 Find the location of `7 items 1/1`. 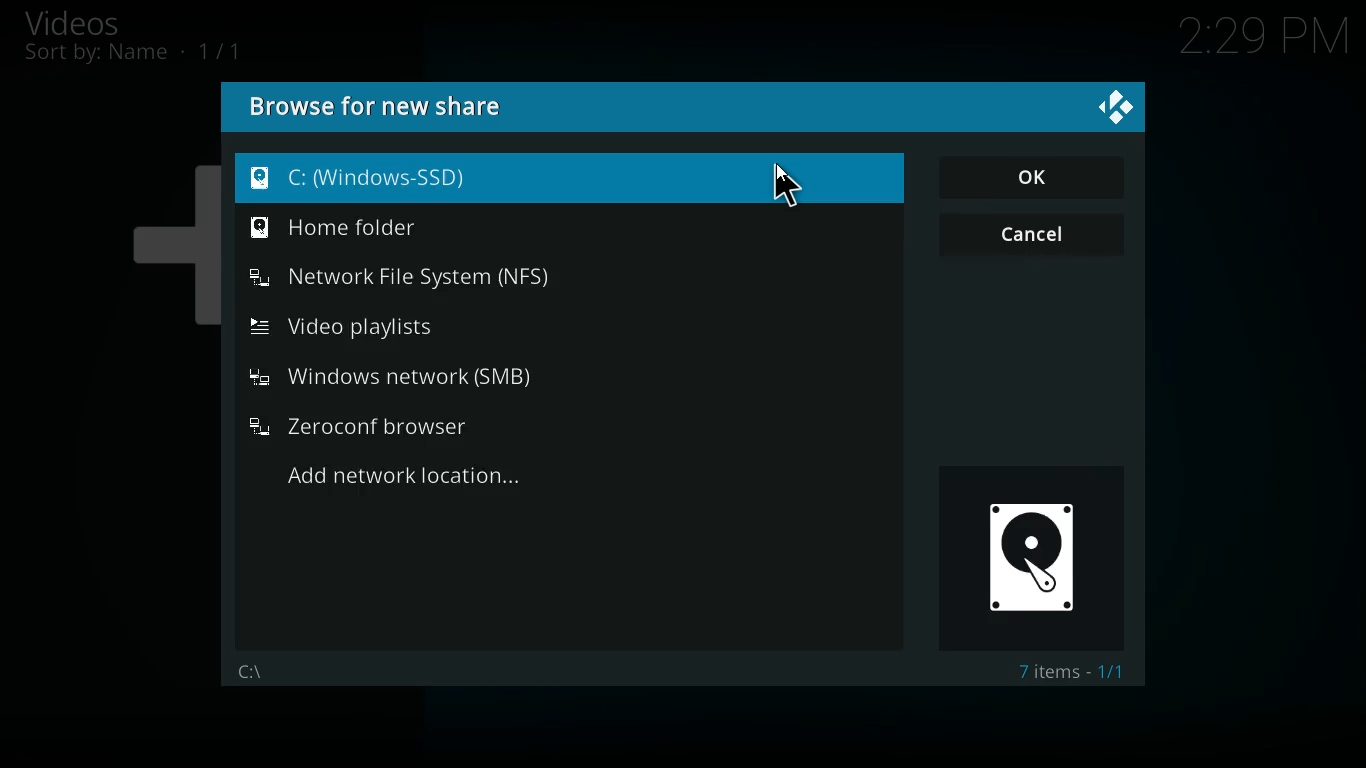

7 items 1/1 is located at coordinates (1076, 673).